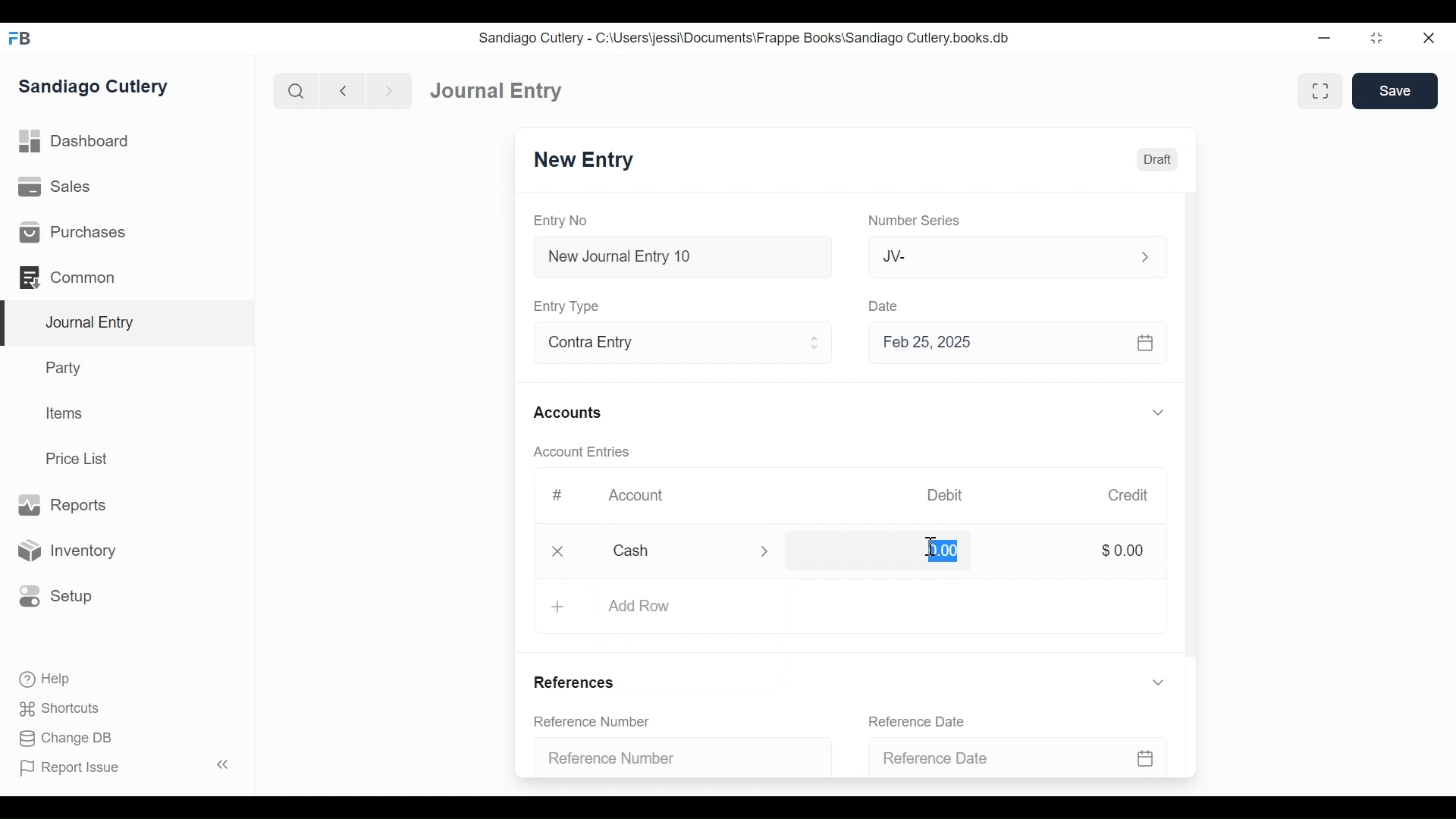 The height and width of the screenshot is (819, 1456). I want to click on Change DB, so click(61, 738).